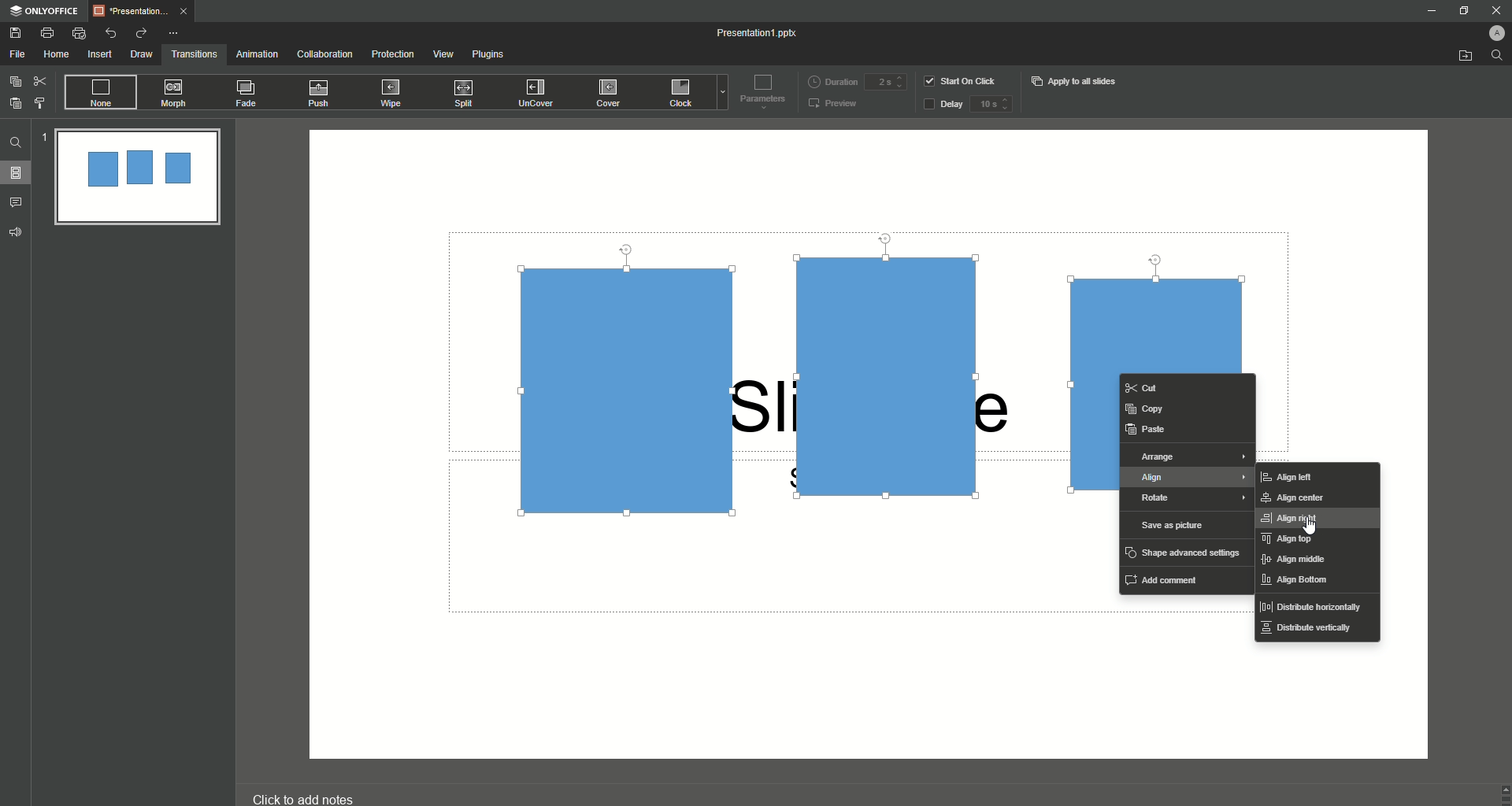  I want to click on Shape advanced settings, so click(1184, 552).